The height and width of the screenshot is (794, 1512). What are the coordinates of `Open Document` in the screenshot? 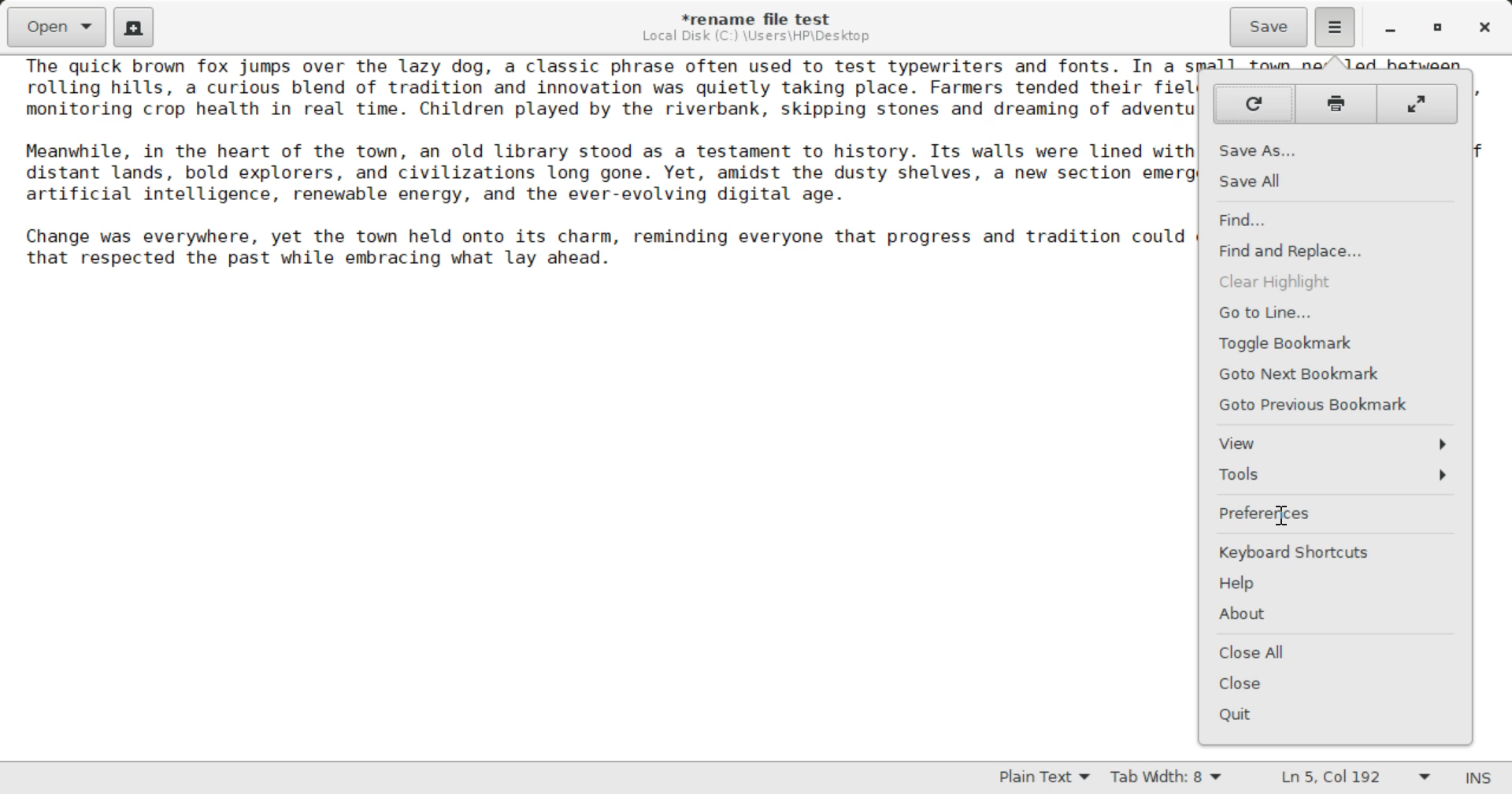 It's located at (57, 25).